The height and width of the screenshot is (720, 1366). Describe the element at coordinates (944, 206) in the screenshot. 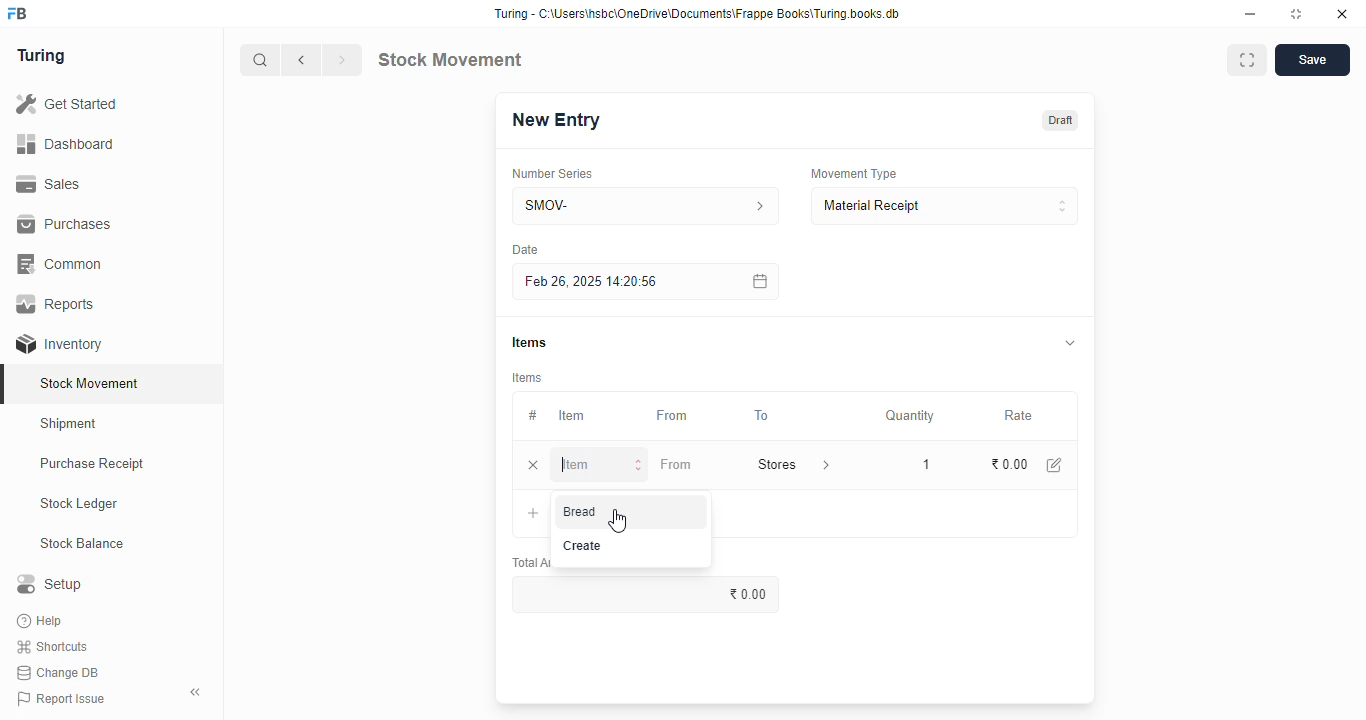

I see `material receipt` at that location.